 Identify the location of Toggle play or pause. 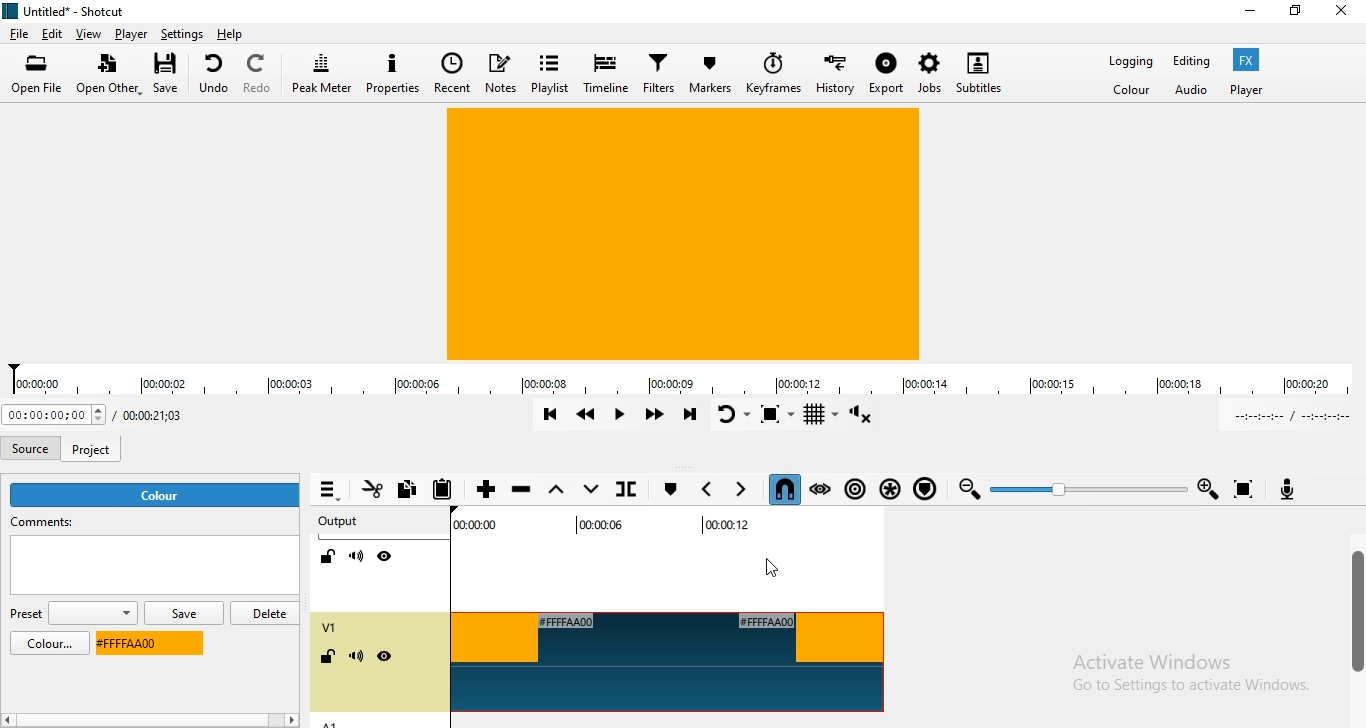
(620, 415).